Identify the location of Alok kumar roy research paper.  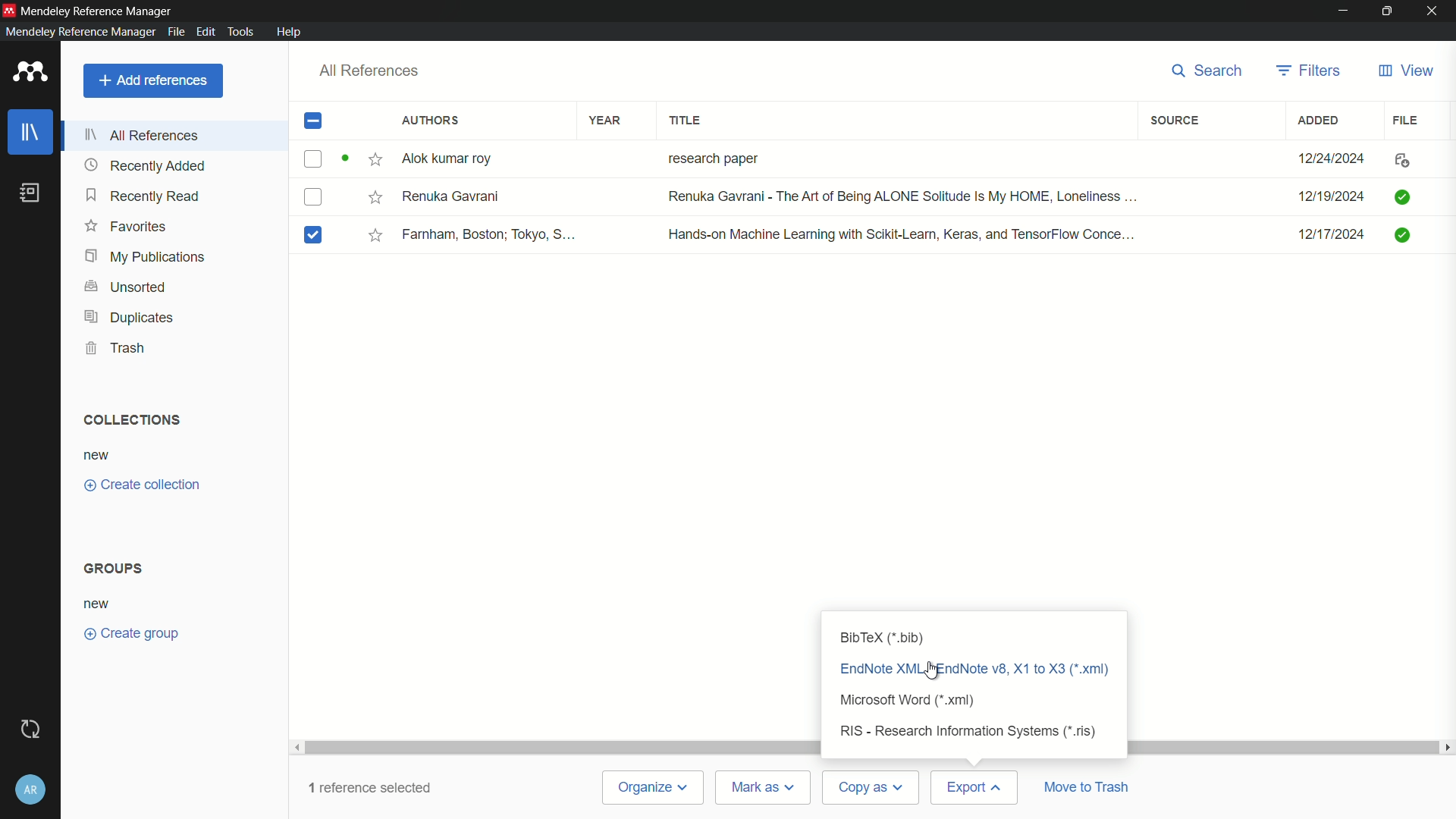
(589, 160).